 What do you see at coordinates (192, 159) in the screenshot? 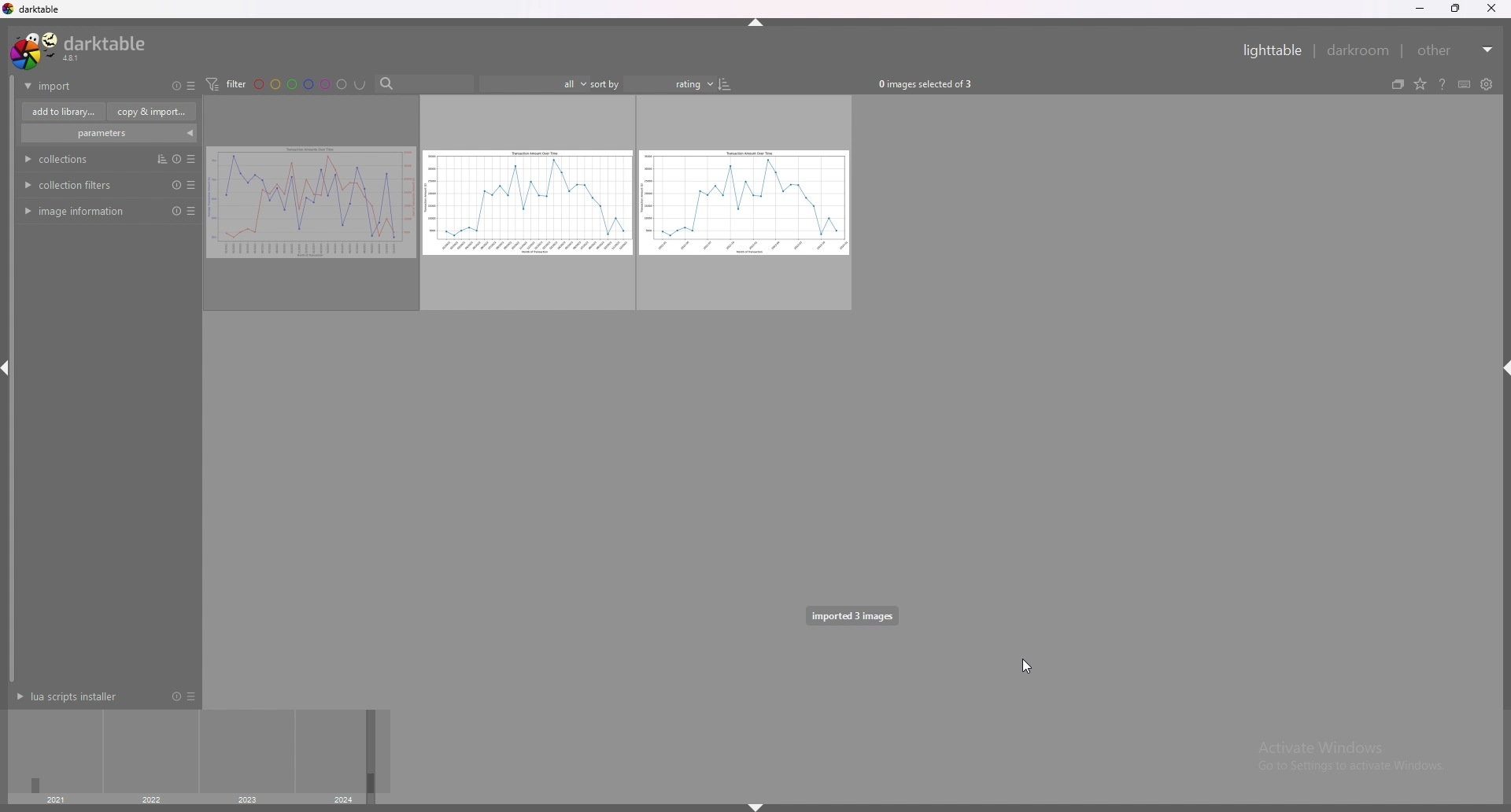
I see `preset` at bounding box center [192, 159].